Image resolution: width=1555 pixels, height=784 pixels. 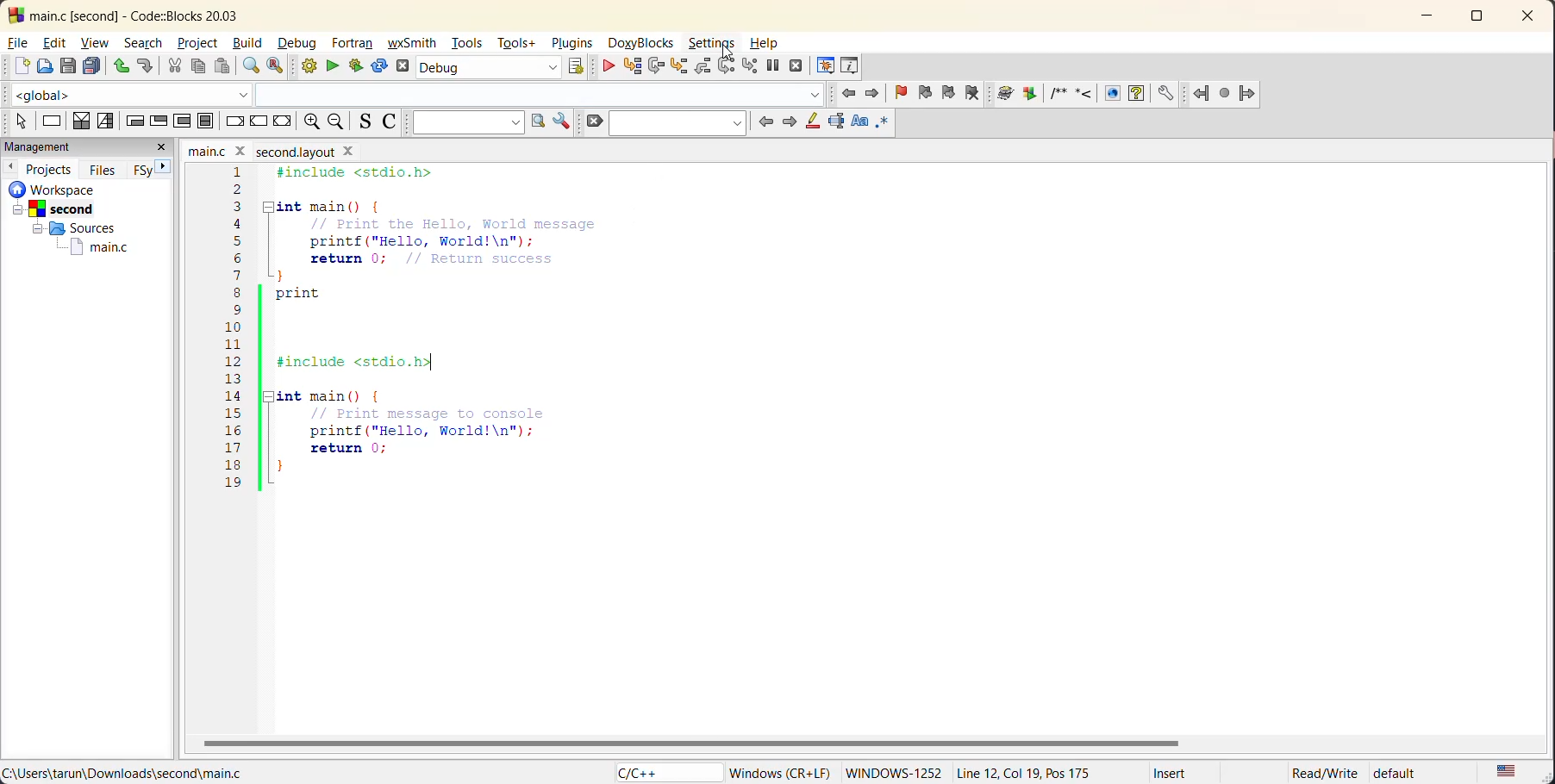 What do you see at coordinates (709, 42) in the screenshot?
I see `settings` at bounding box center [709, 42].